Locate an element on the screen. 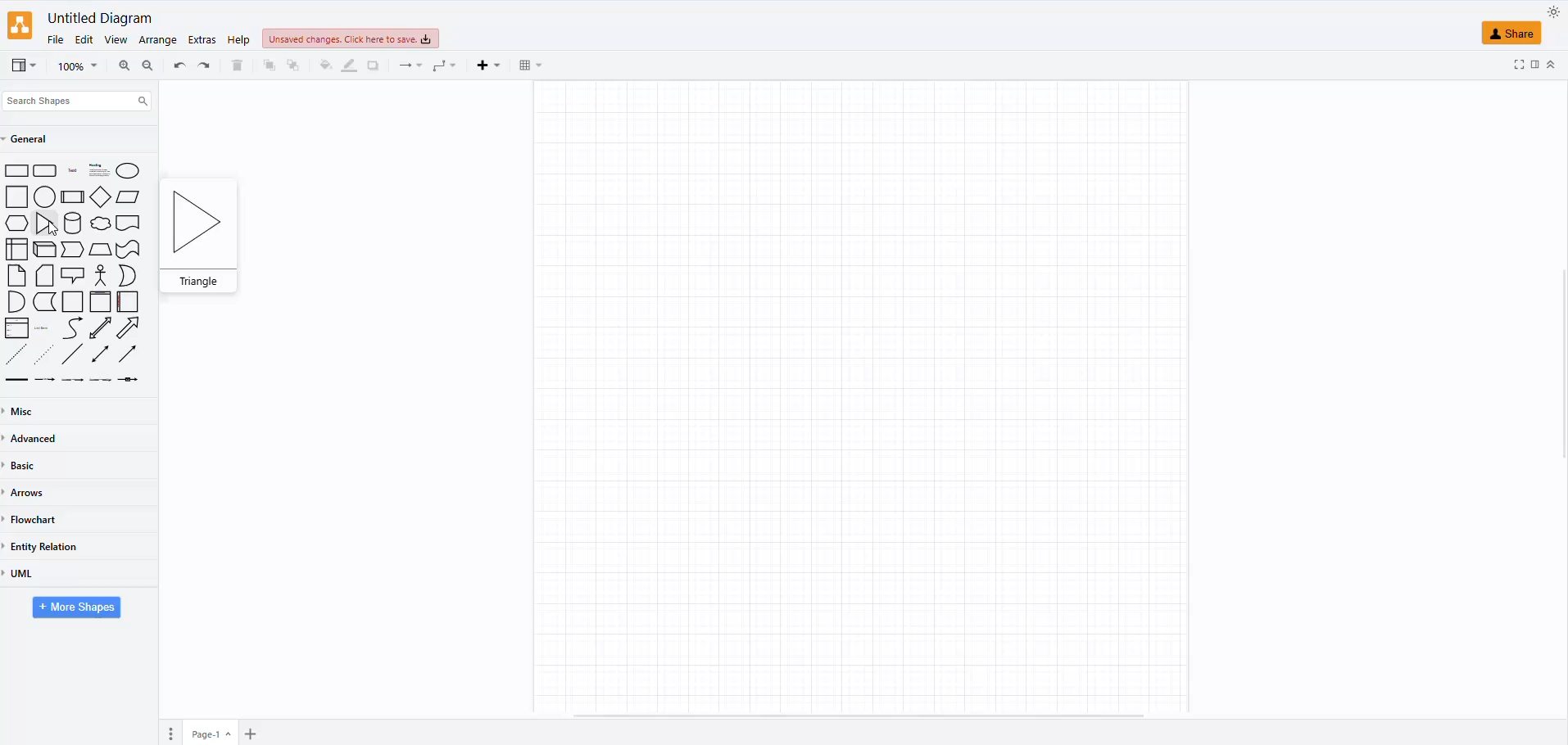 This screenshot has height=745, width=1568. format is located at coordinates (1534, 66).